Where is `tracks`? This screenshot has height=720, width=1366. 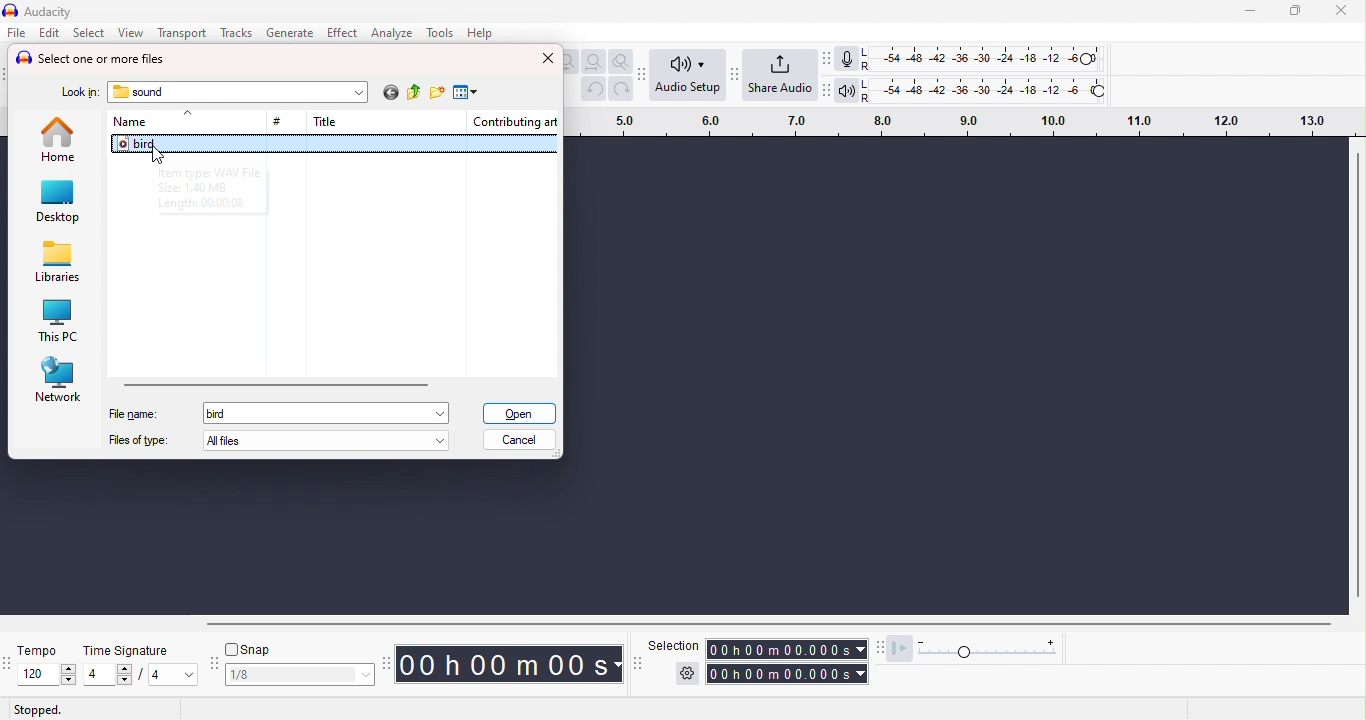 tracks is located at coordinates (234, 32).